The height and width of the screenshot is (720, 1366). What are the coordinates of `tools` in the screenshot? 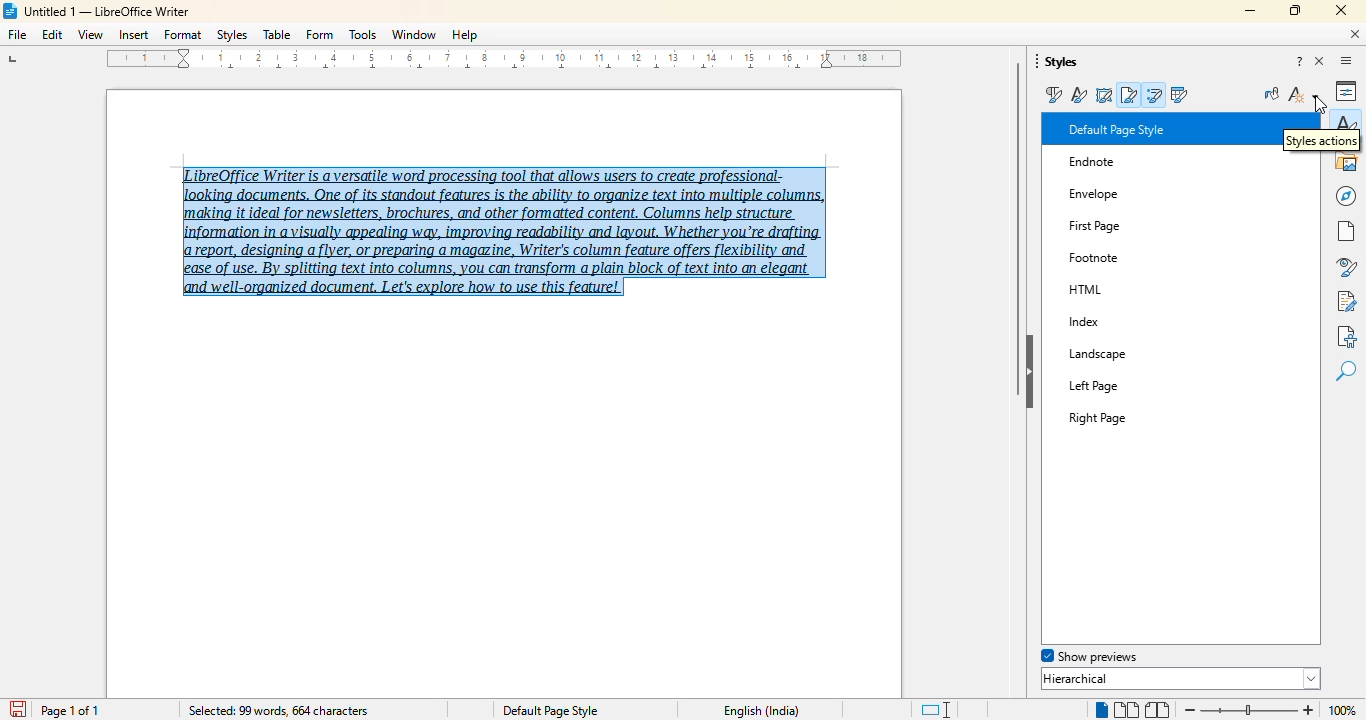 It's located at (363, 35).